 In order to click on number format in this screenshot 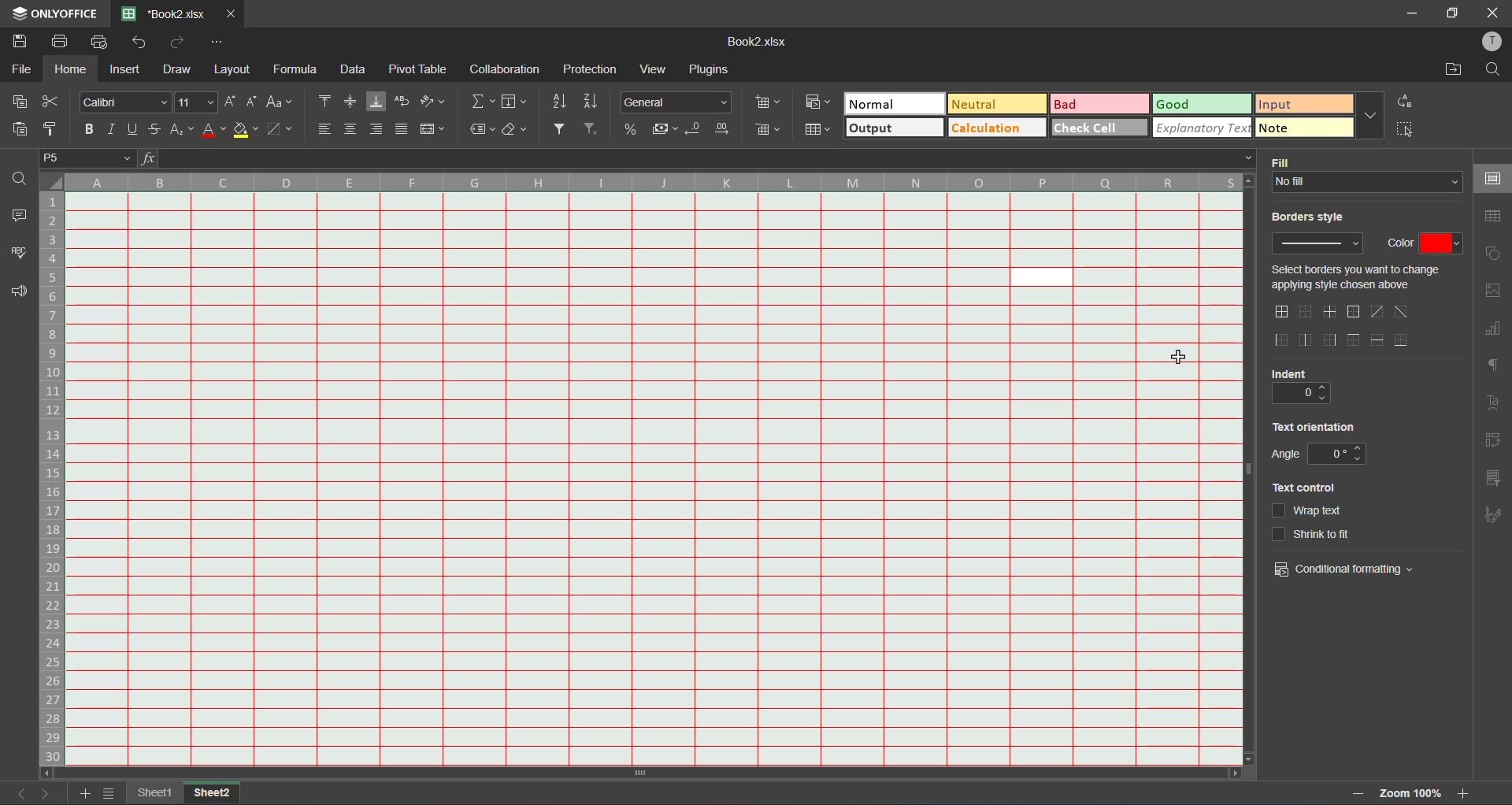, I will do `click(680, 103)`.